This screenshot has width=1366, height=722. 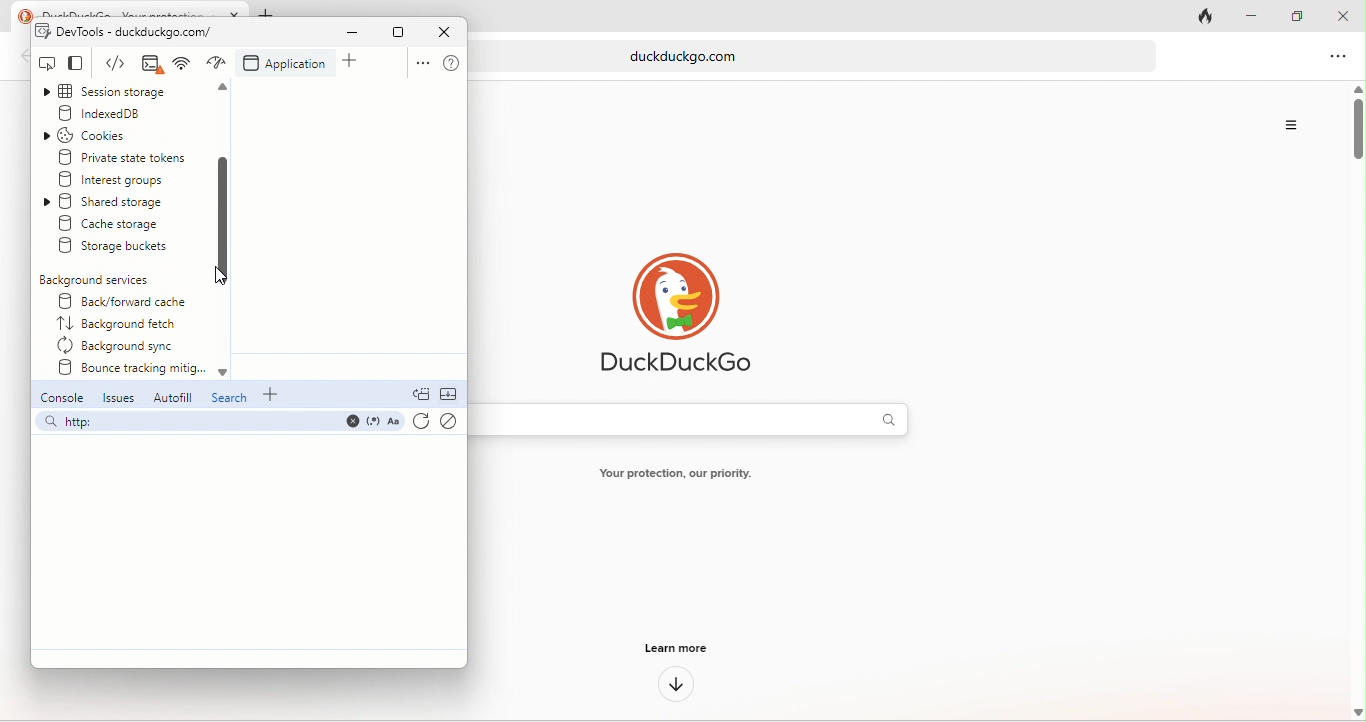 What do you see at coordinates (1340, 58) in the screenshot?
I see `option` at bounding box center [1340, 58].